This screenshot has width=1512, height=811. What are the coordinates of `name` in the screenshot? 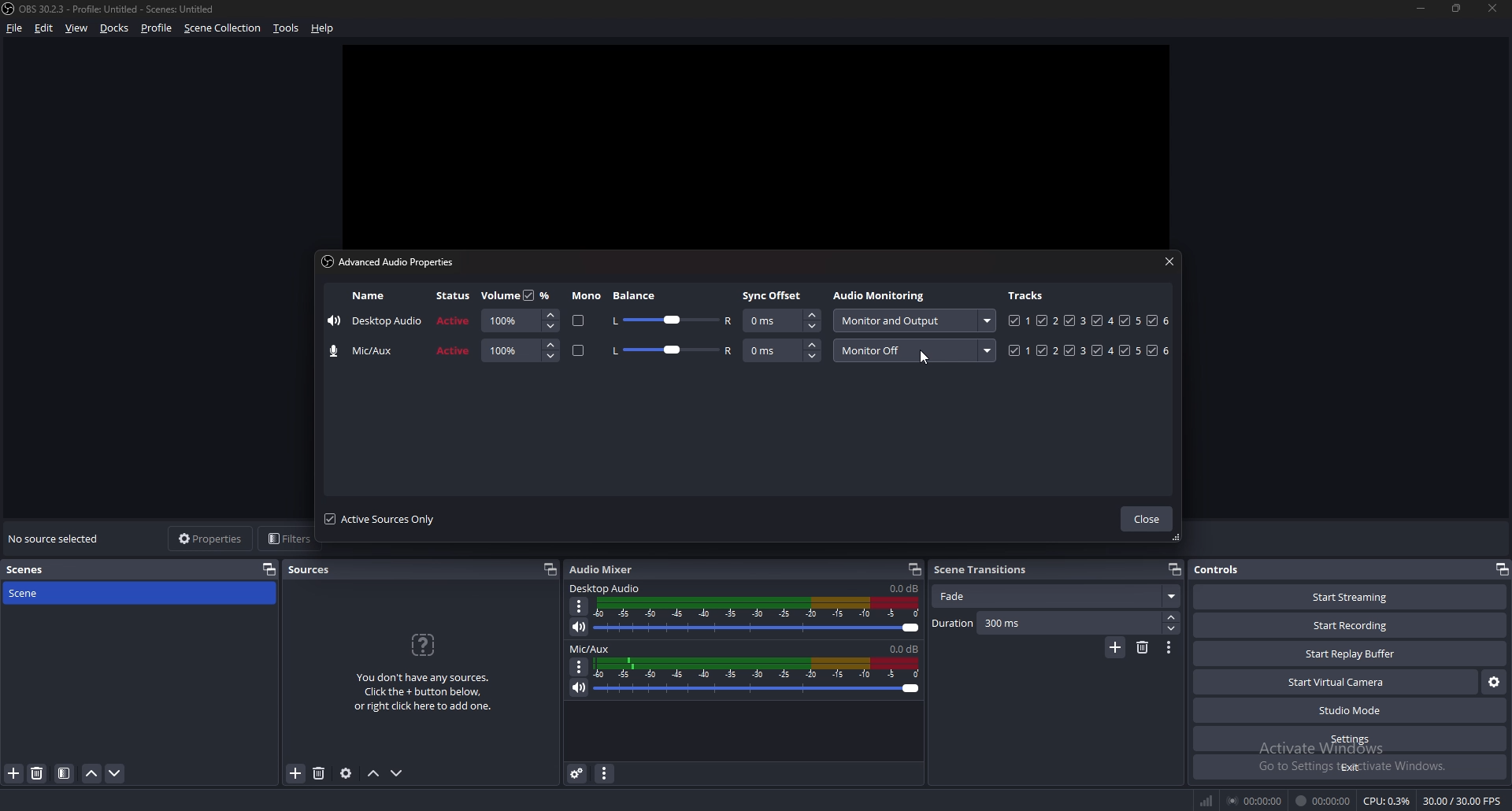 It's located at (376, 320).